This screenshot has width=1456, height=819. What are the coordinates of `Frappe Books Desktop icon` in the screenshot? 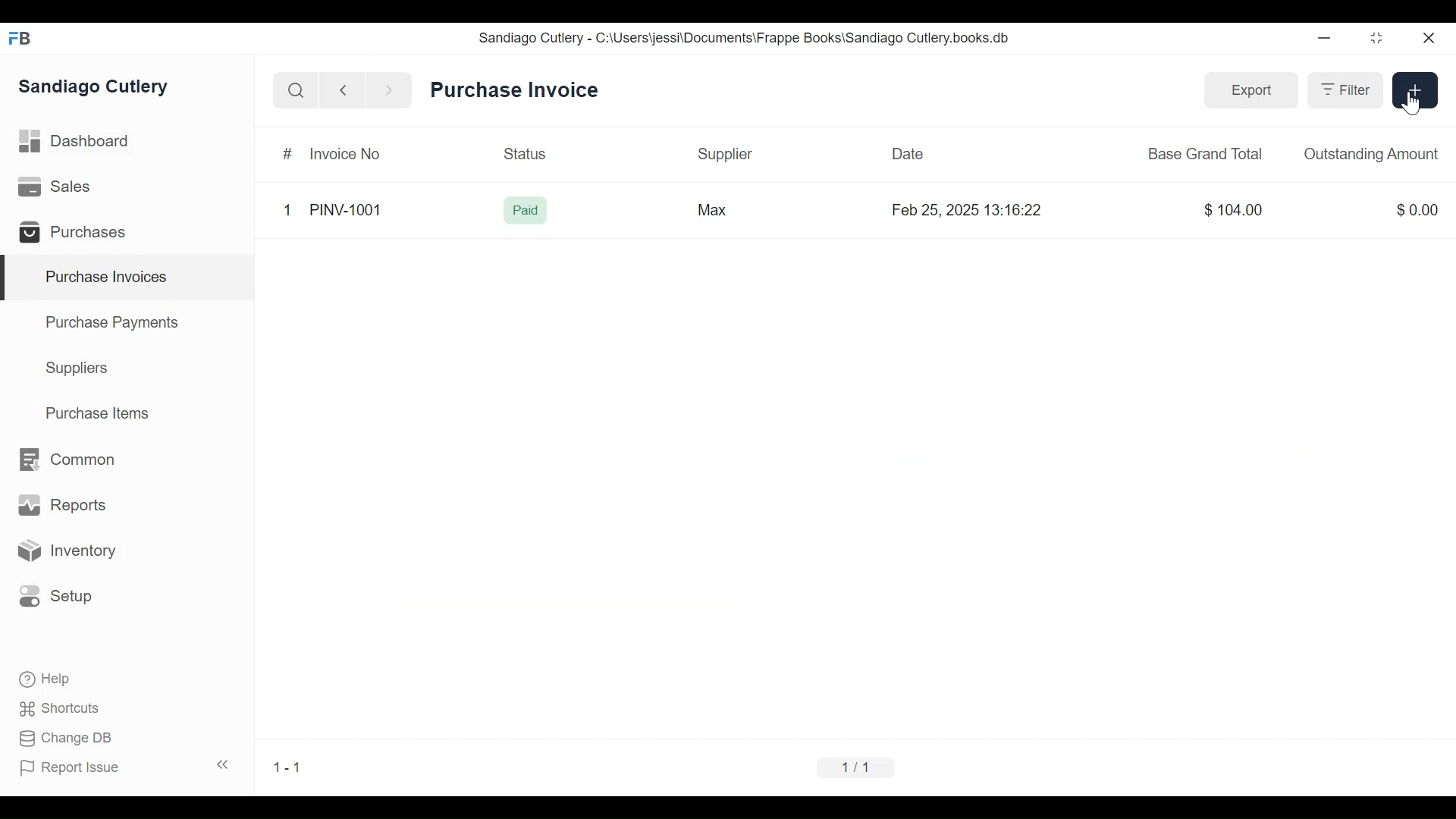 It's located at (25, 39).